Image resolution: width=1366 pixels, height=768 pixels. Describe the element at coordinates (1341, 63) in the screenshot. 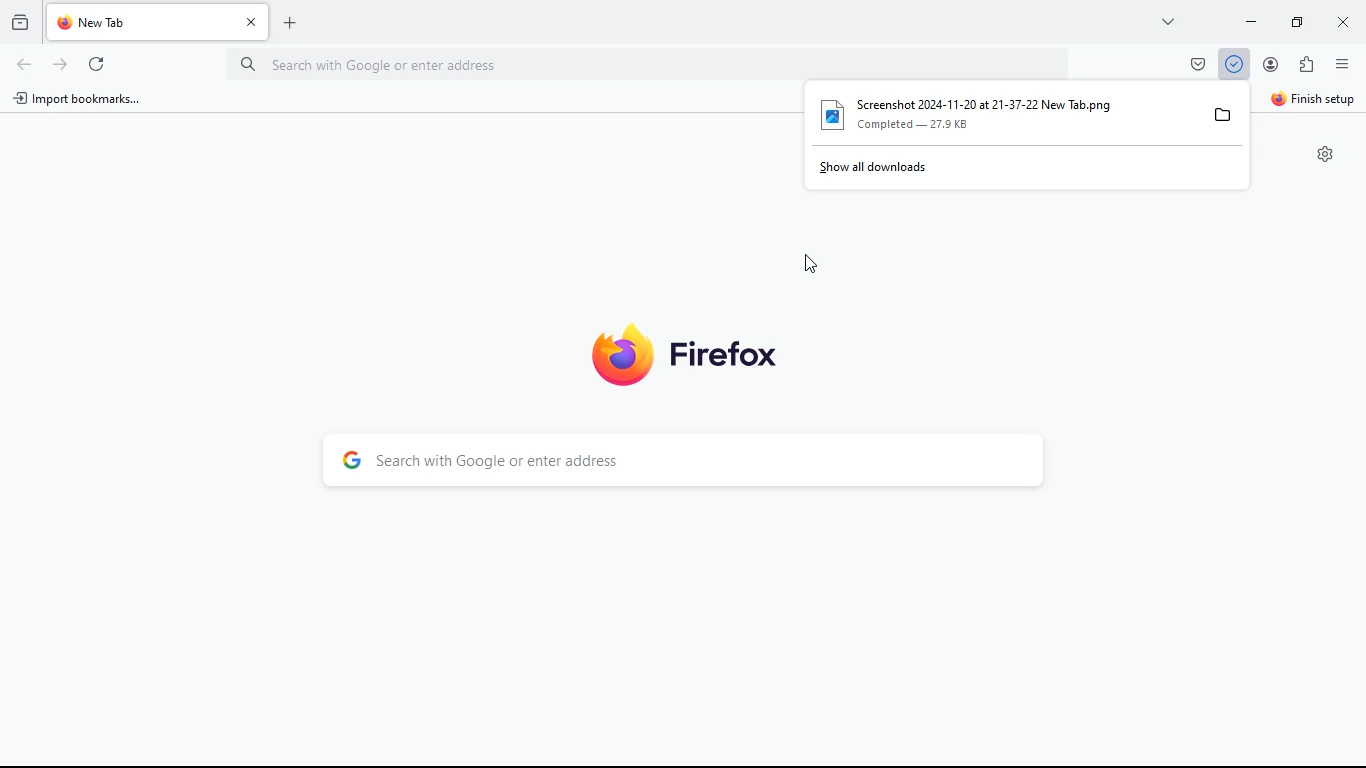

I see `menu` at that location.